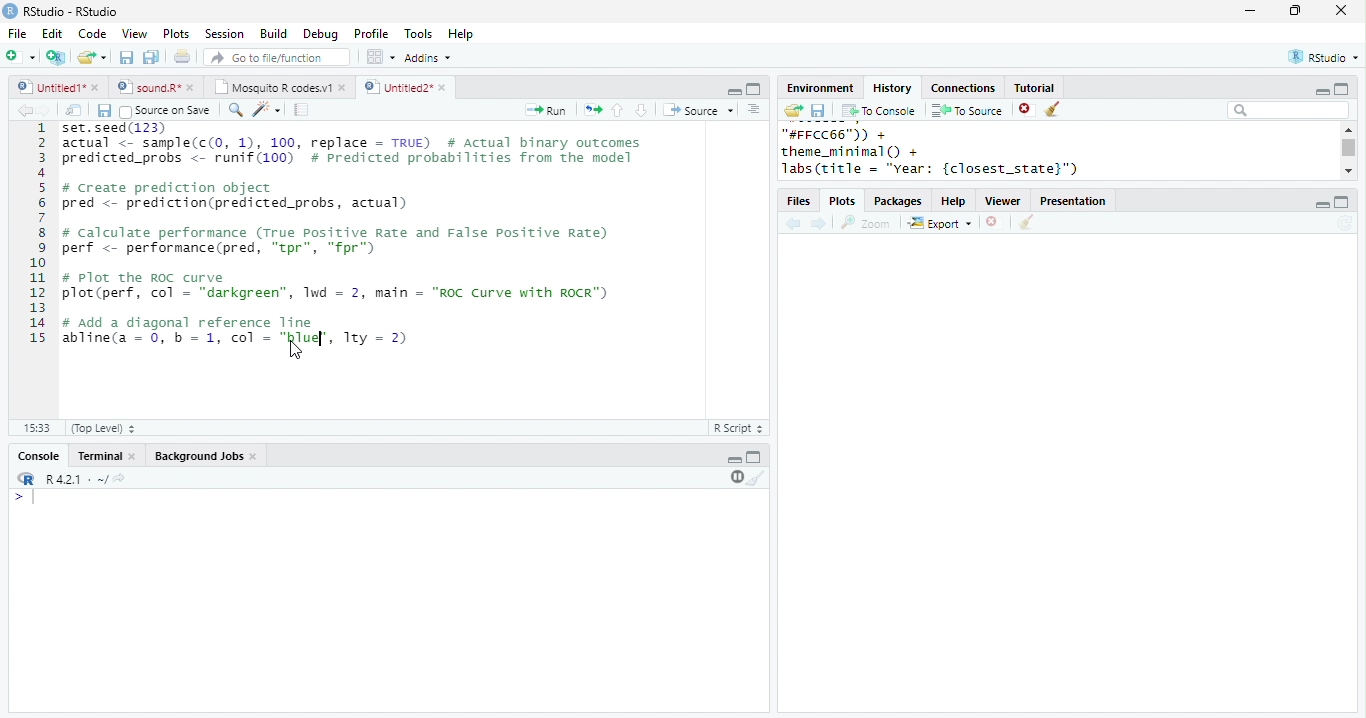 The image size is (1366, 718). I want to click on Build, so click(273, 34).